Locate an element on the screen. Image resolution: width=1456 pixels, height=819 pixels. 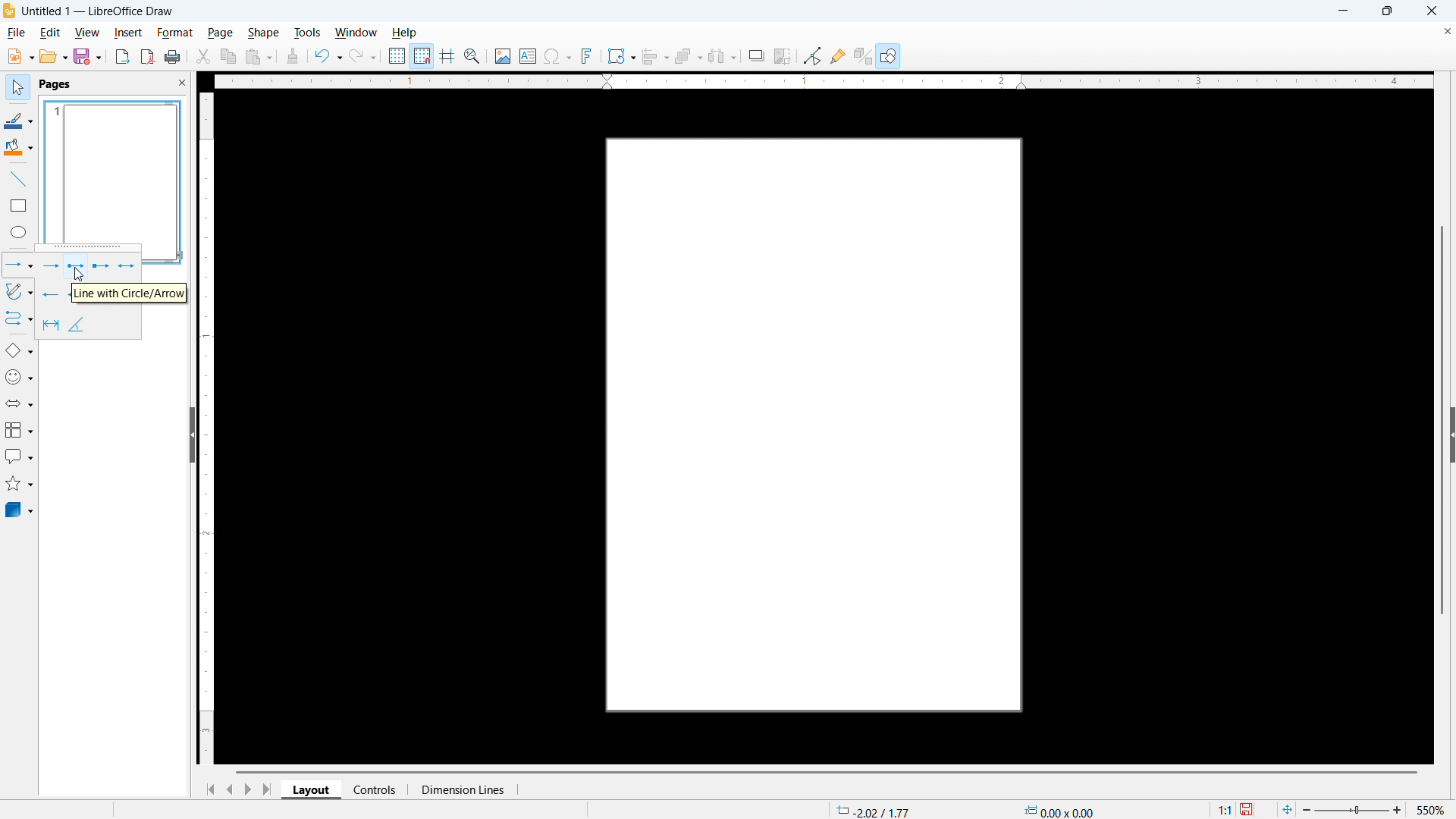
Edit  is located at coordinates (52, 33).